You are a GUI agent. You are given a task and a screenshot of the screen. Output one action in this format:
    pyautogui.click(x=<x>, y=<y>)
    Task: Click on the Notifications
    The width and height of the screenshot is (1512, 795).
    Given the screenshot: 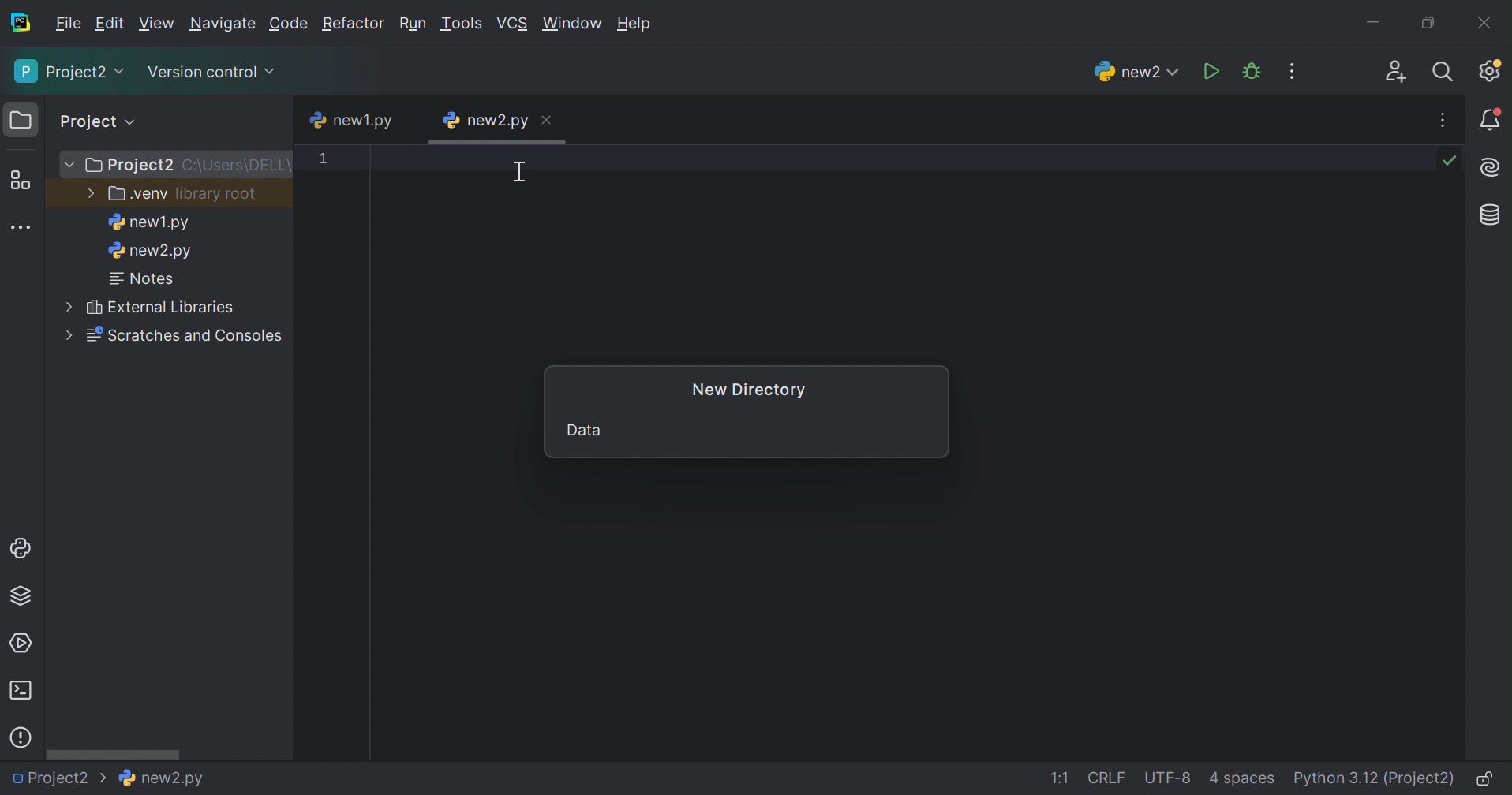 What is the action you would take?
    pyautogui.click(x=1491, y=120)
    